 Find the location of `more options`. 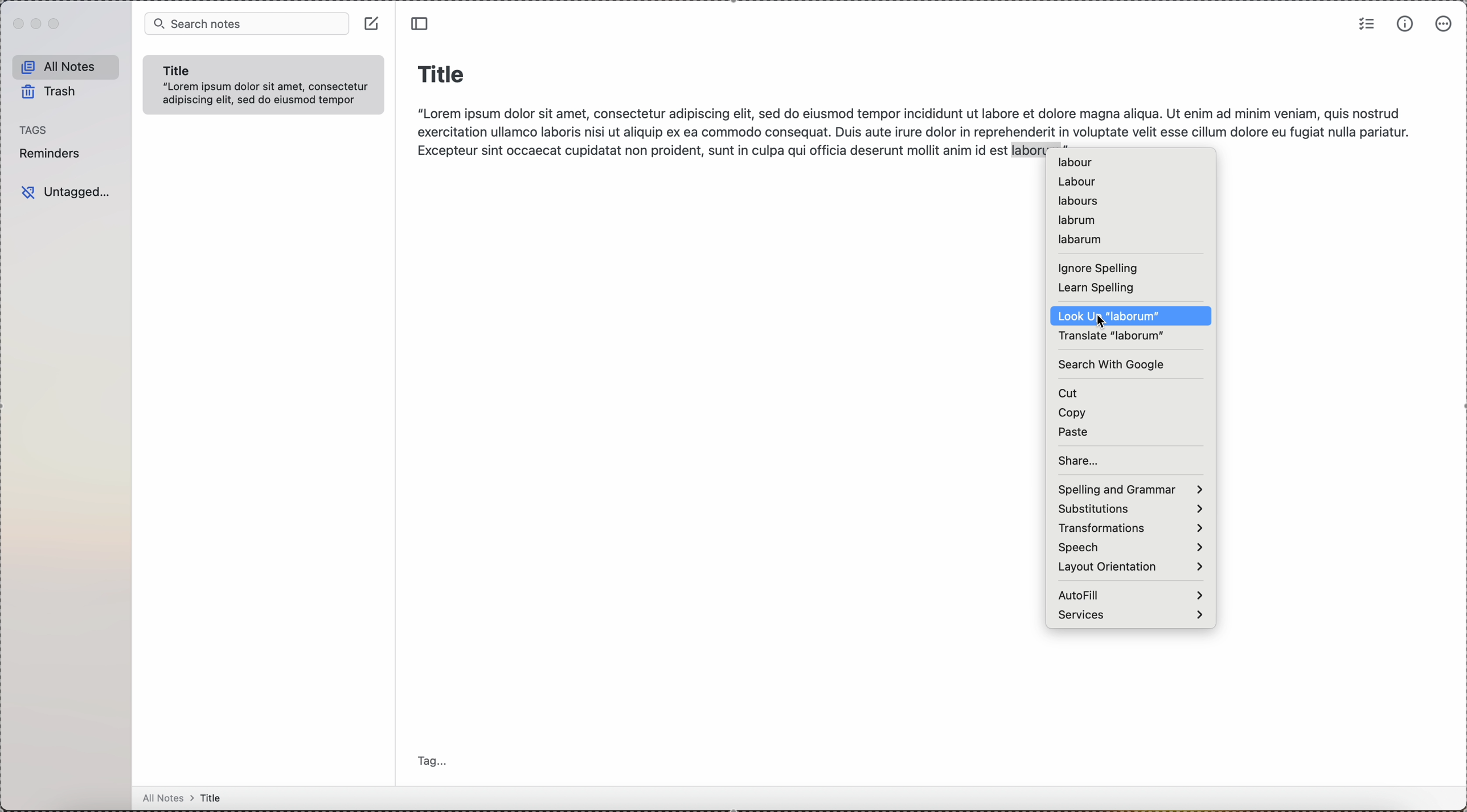

more options is located at coordinates (1445, 24).